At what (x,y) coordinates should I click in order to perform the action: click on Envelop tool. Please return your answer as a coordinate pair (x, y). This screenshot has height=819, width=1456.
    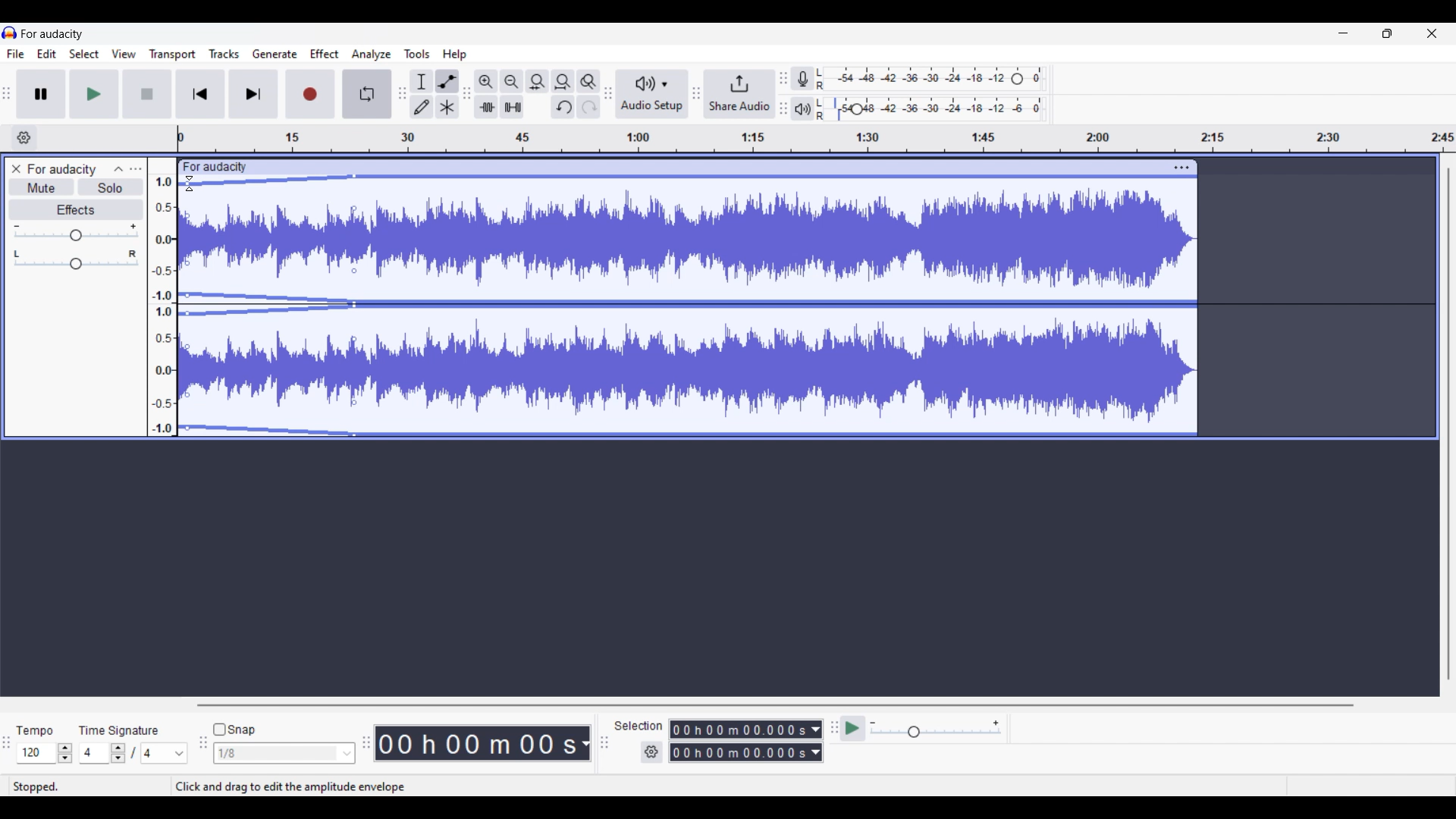
    Looking at the image, I should click on (448, 82).